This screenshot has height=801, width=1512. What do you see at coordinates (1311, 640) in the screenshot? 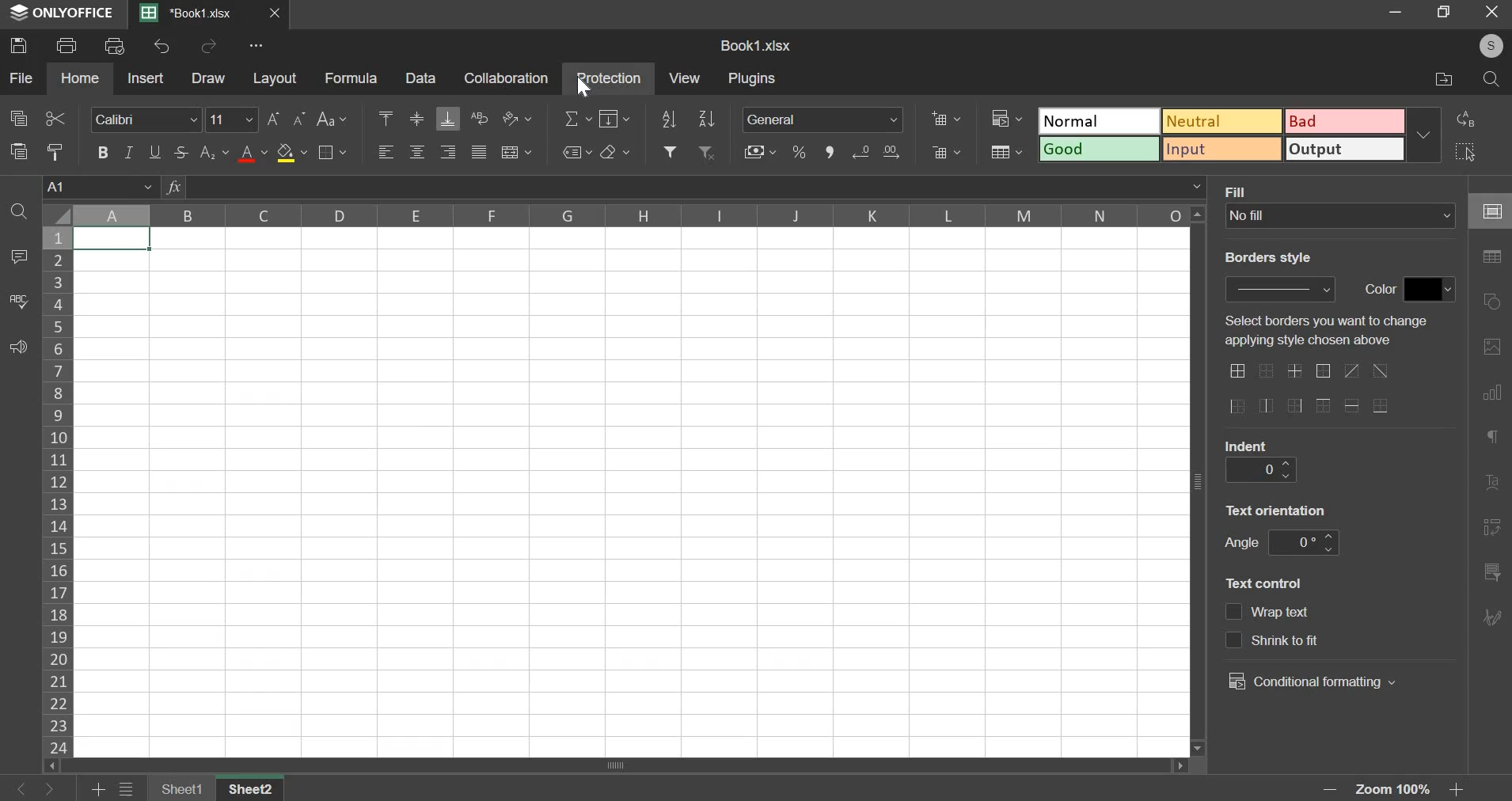
I see `text control` at bounding box center [1311, 640].